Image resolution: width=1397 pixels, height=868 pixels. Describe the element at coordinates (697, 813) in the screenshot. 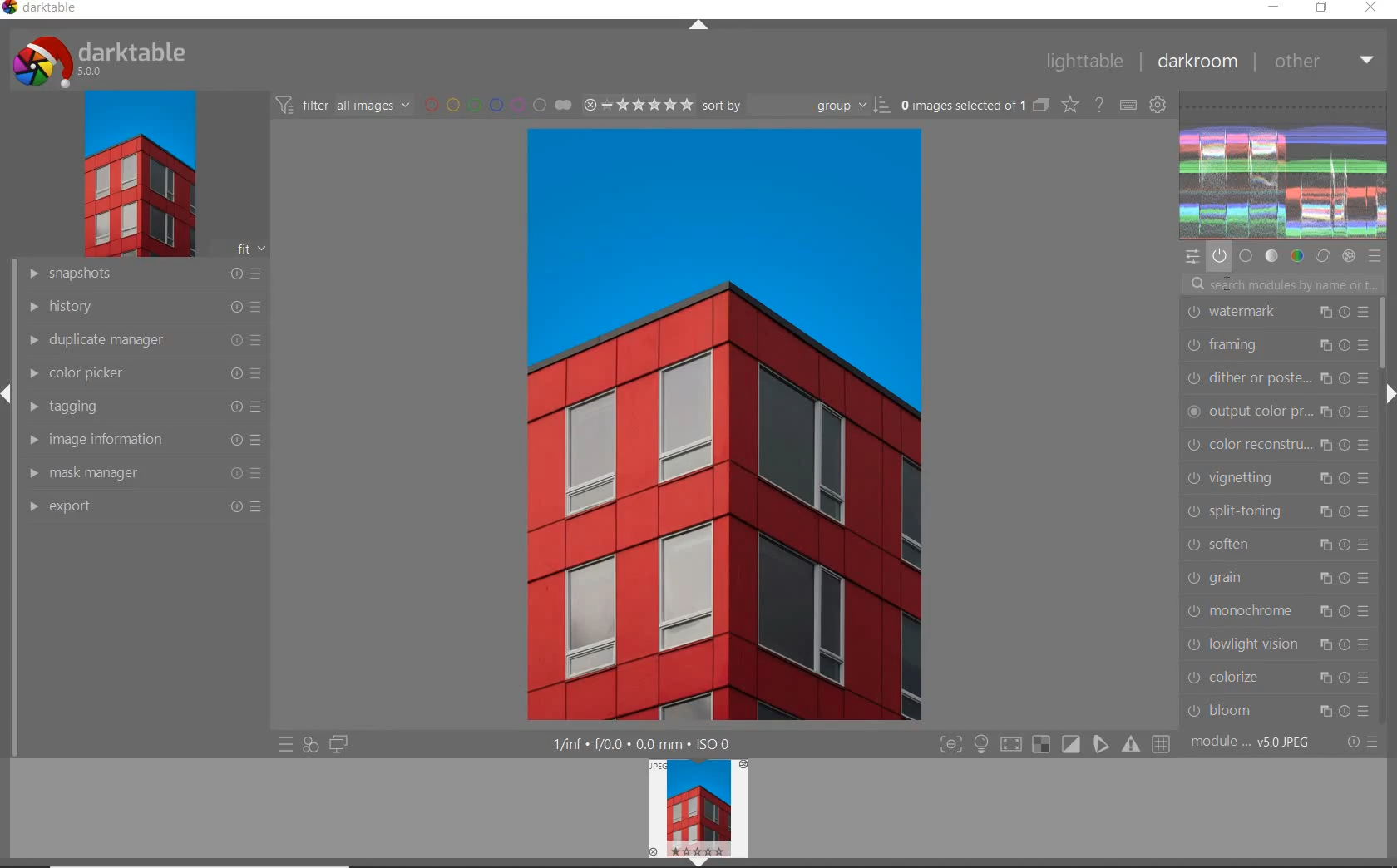

I see `image preview` at that location.